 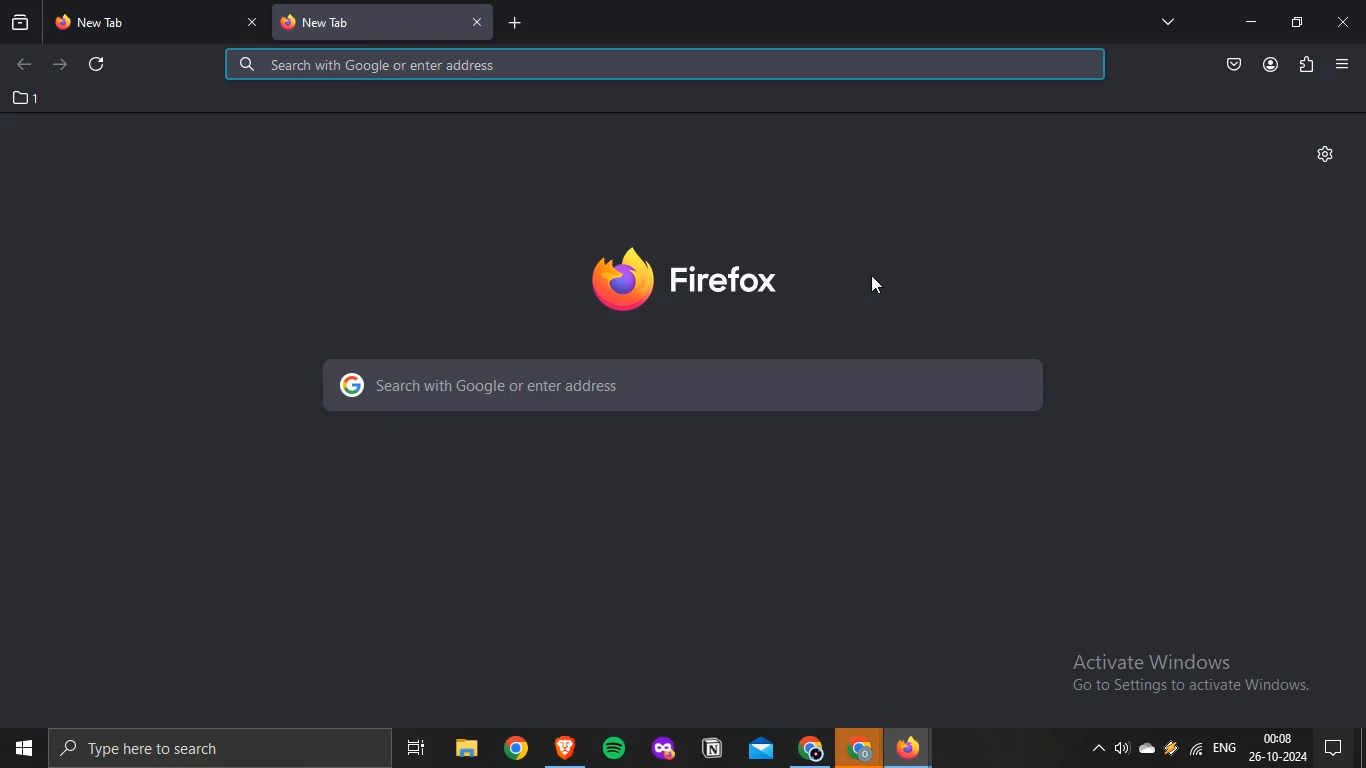 I want to click on file explorer, so click(x=464, y=744).